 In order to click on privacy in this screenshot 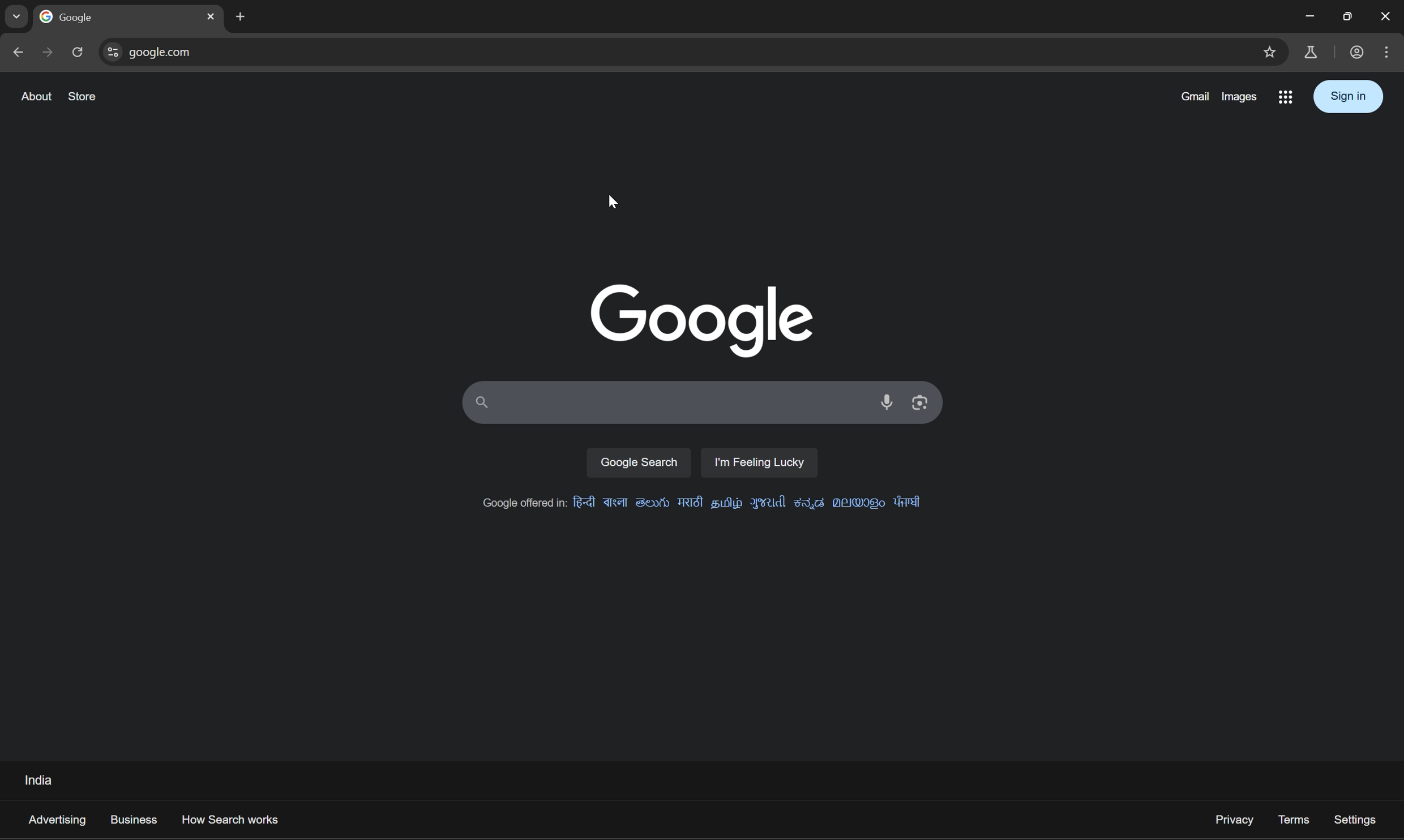, I will do `click(1234, 821)`.